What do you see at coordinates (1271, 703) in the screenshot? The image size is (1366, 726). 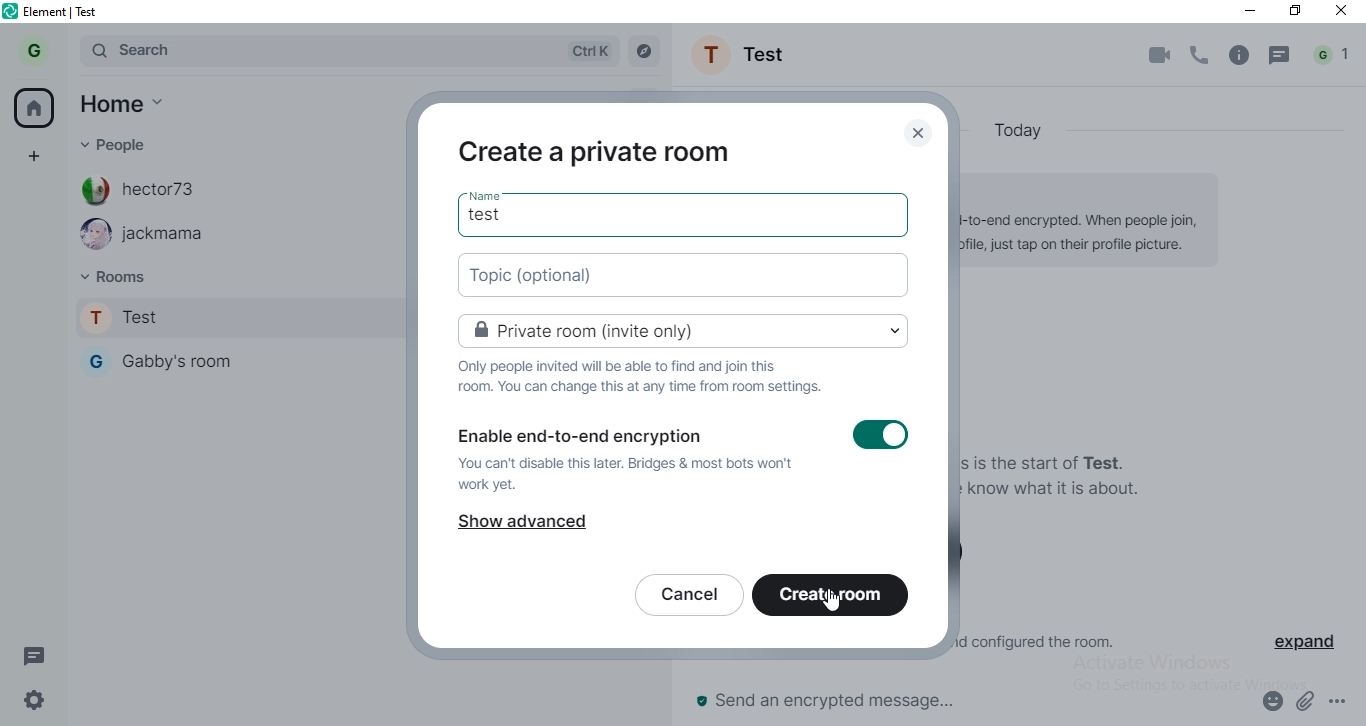 I see `emoji` at bounding box center [1271, 703].